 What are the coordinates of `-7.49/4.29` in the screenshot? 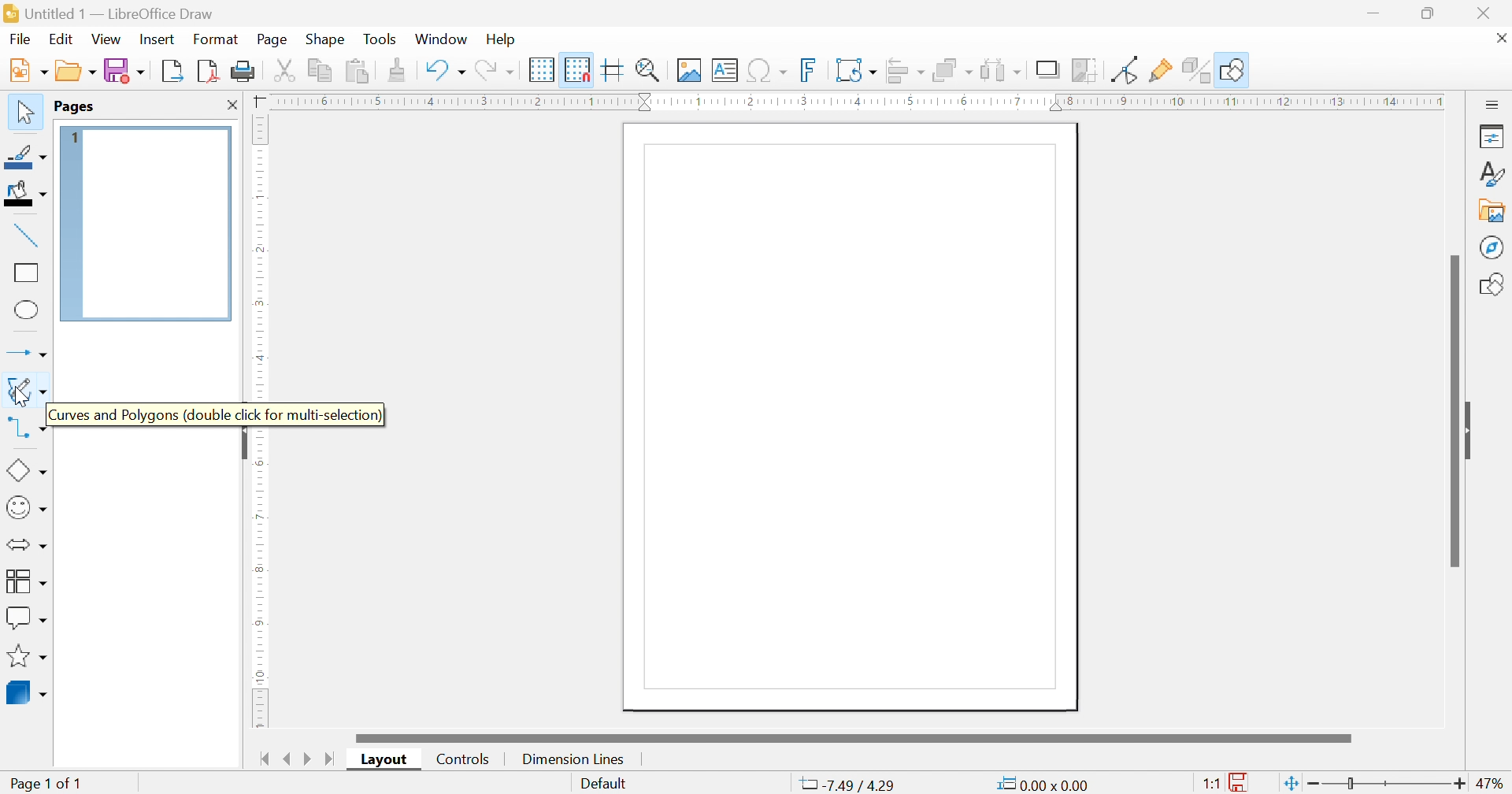 It's located at (846, 785).